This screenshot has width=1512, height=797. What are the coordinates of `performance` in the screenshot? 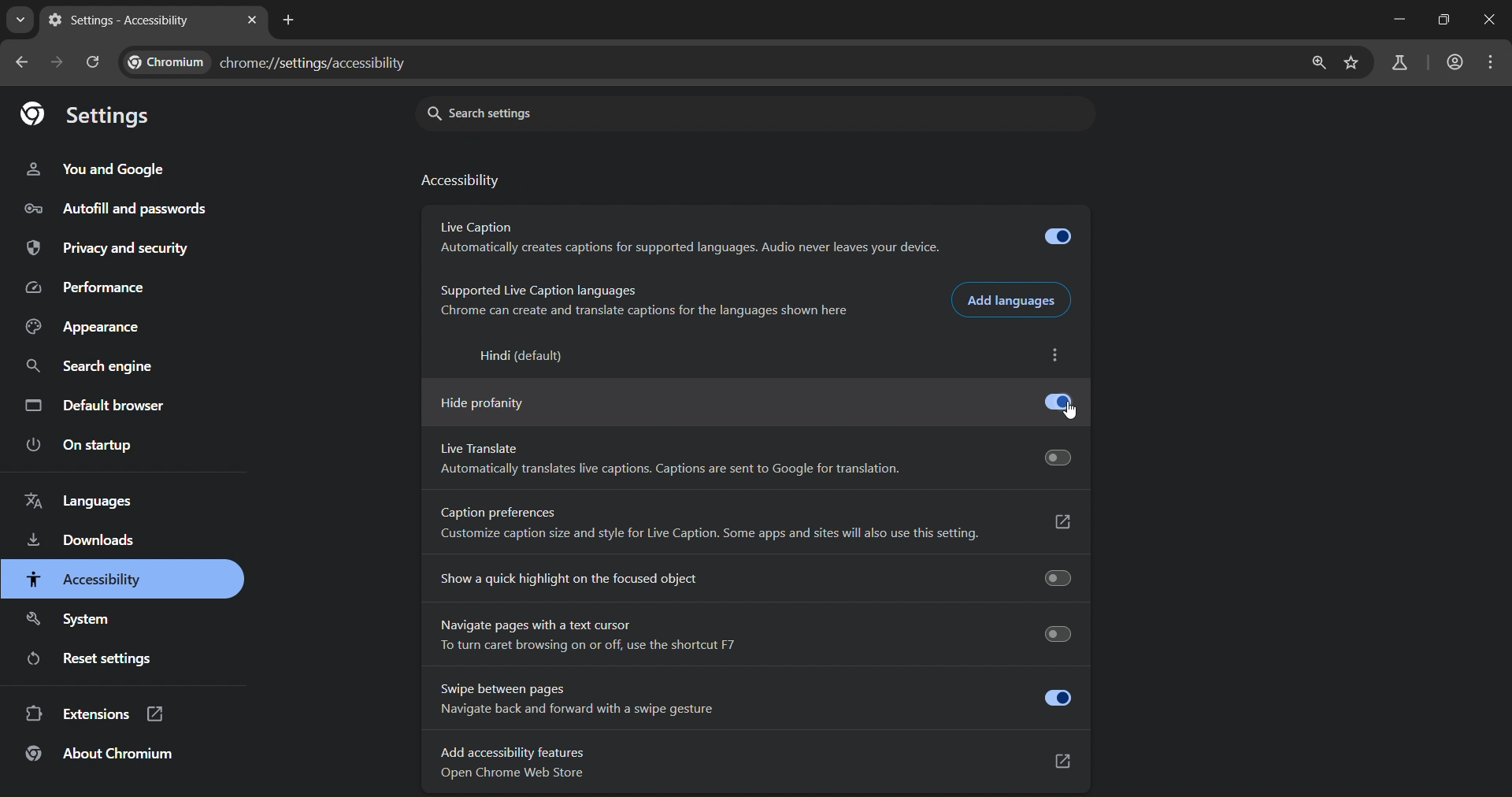 It's located at (91, 288).